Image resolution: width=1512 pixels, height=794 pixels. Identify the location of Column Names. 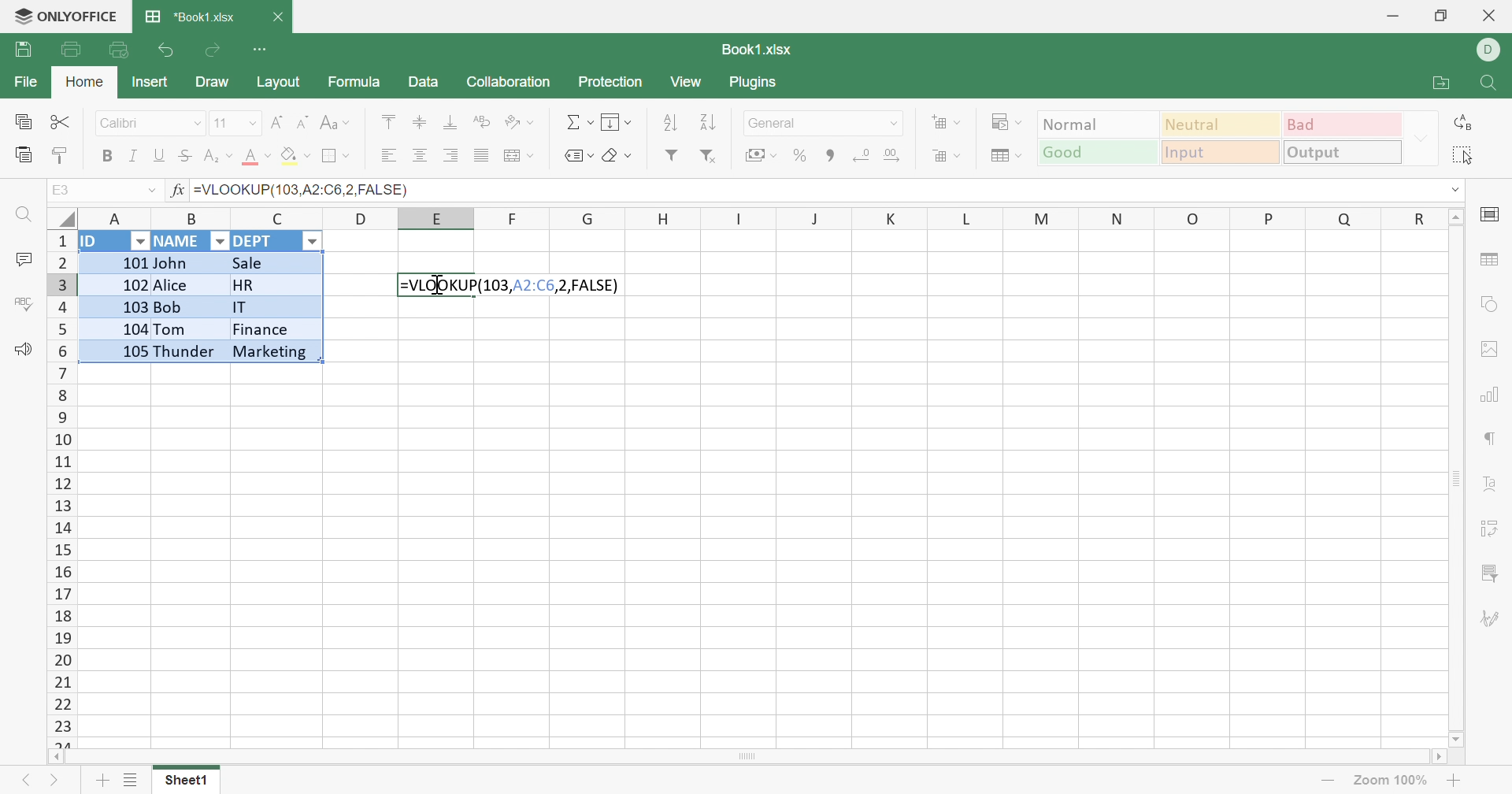
(759, 217).